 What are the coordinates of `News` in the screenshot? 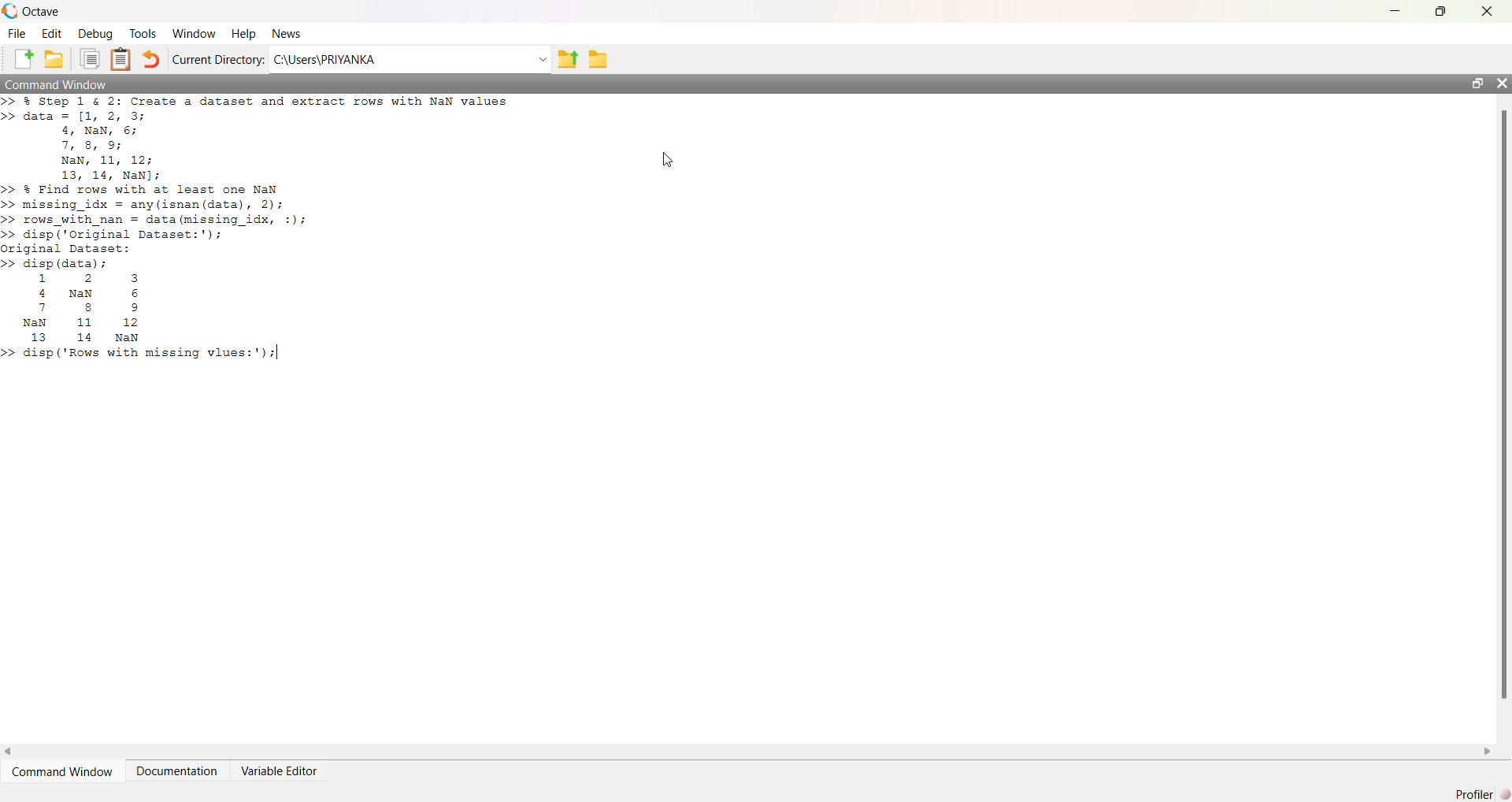 It's located at (288, 33).